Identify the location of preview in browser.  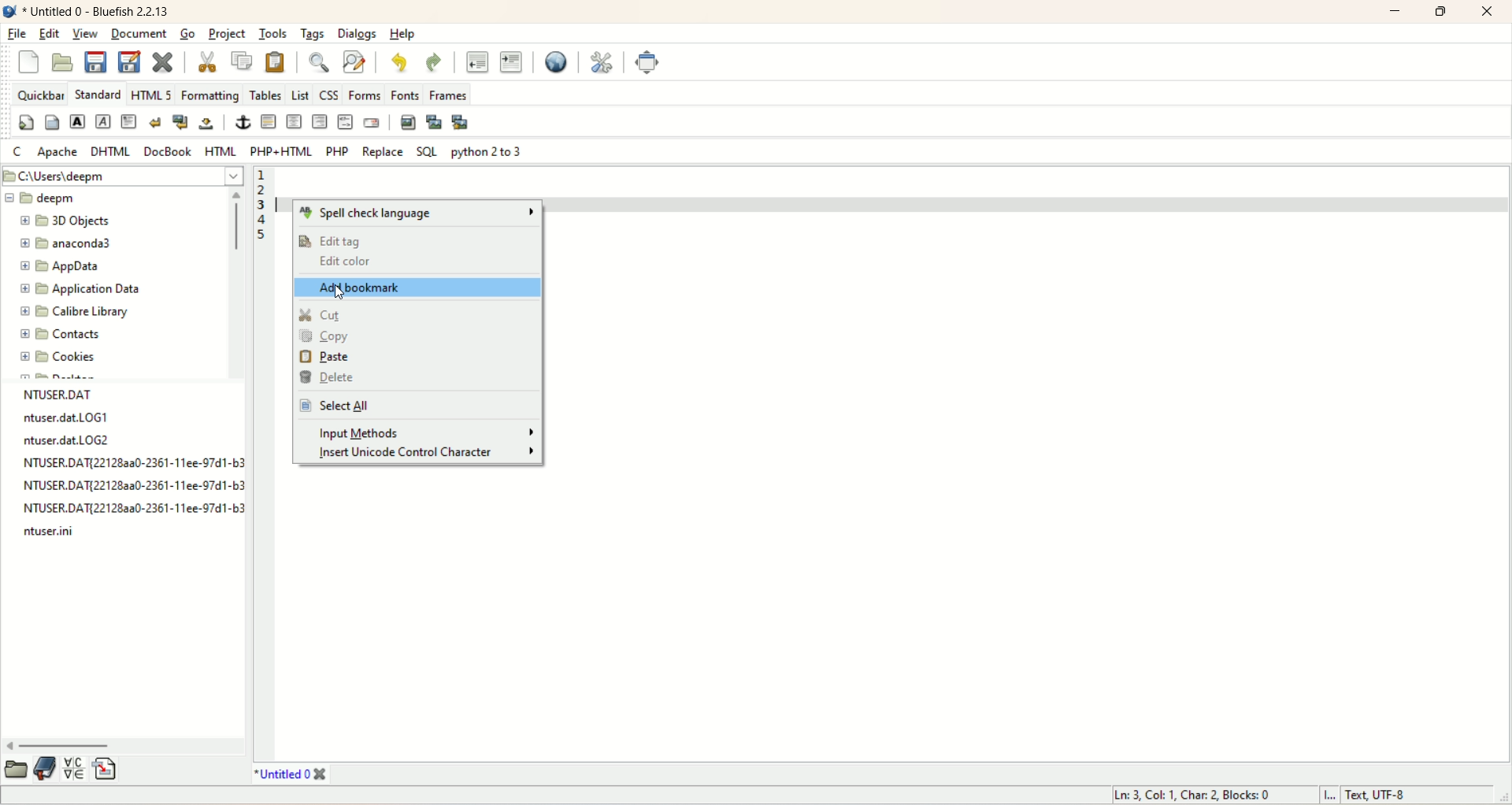
(554, 63).